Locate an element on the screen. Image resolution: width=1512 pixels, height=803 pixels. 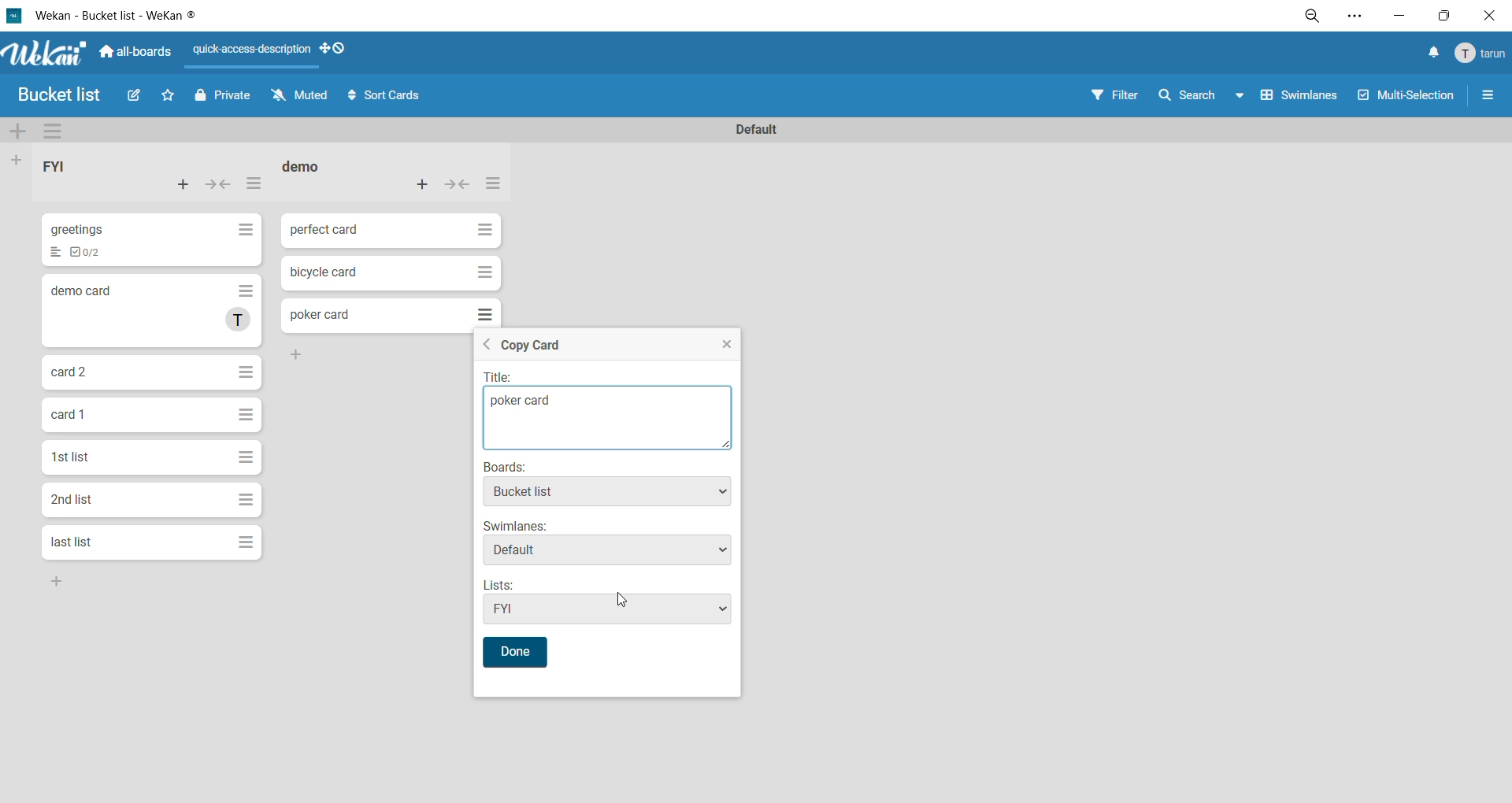
search is located at coordinates (1206, 94).